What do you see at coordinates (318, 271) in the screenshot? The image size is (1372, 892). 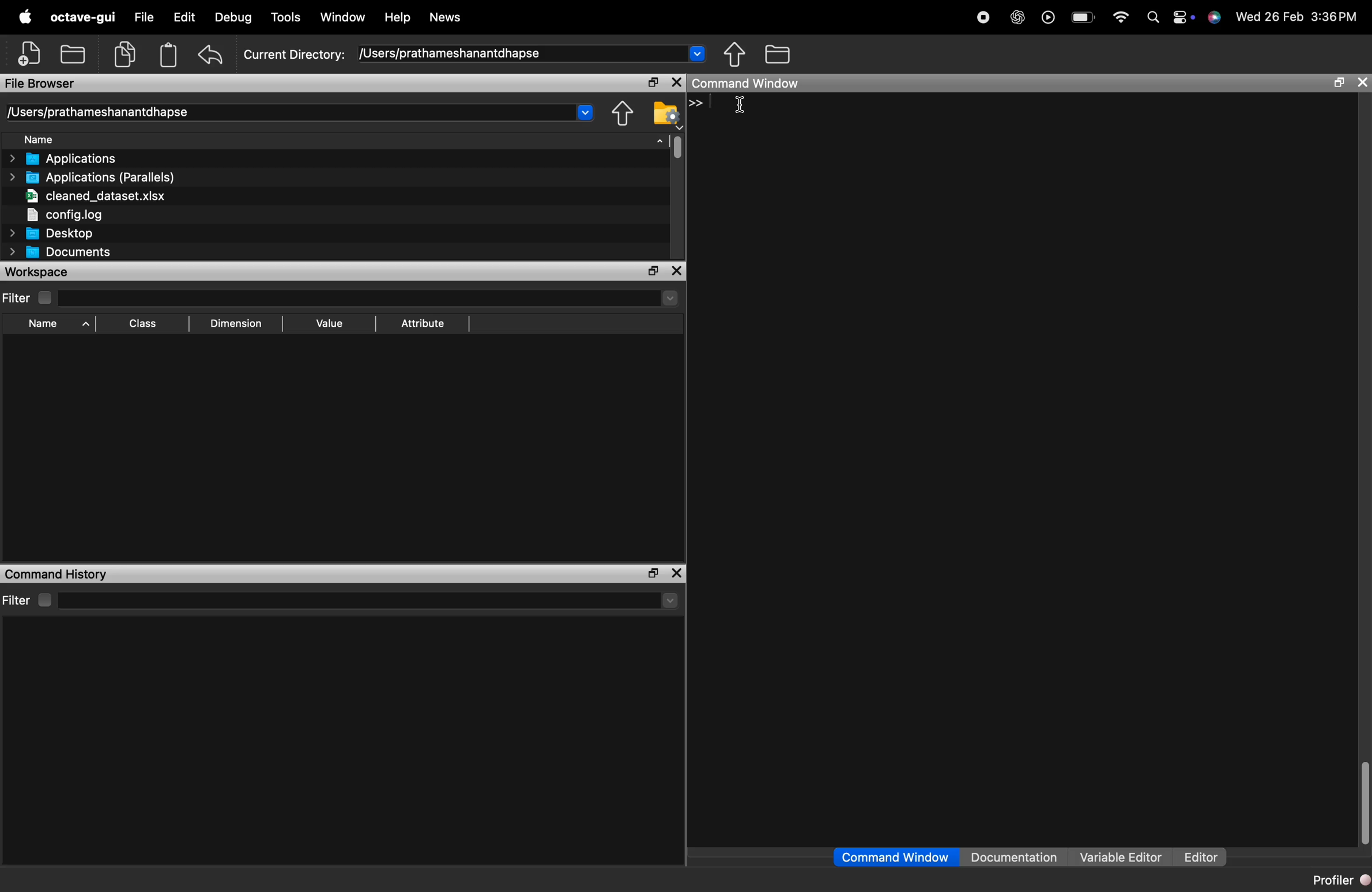 I see `workspace` at bounding box center [318, 271].